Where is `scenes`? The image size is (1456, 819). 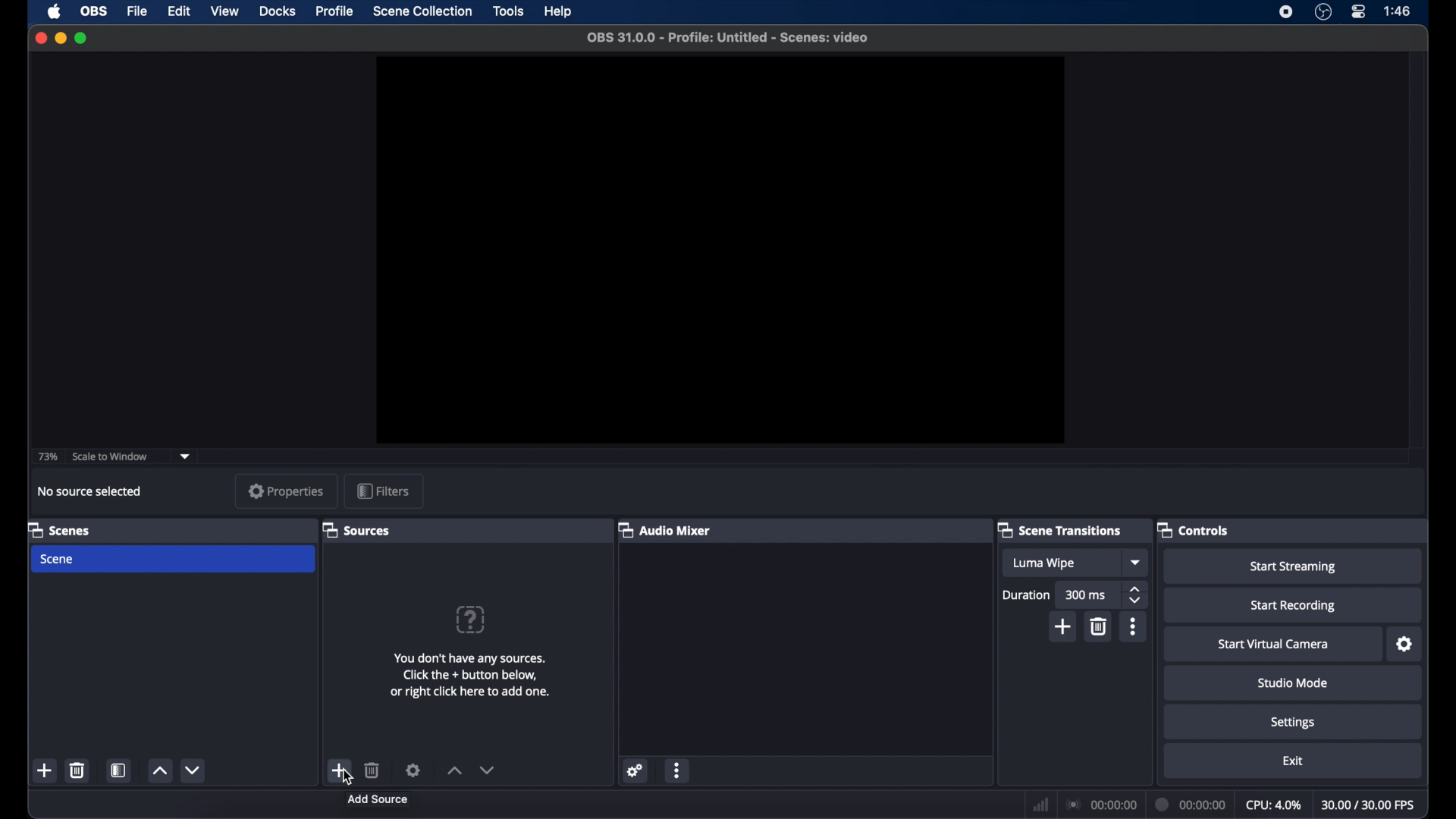 scenes is located at coordinates (58, 531).